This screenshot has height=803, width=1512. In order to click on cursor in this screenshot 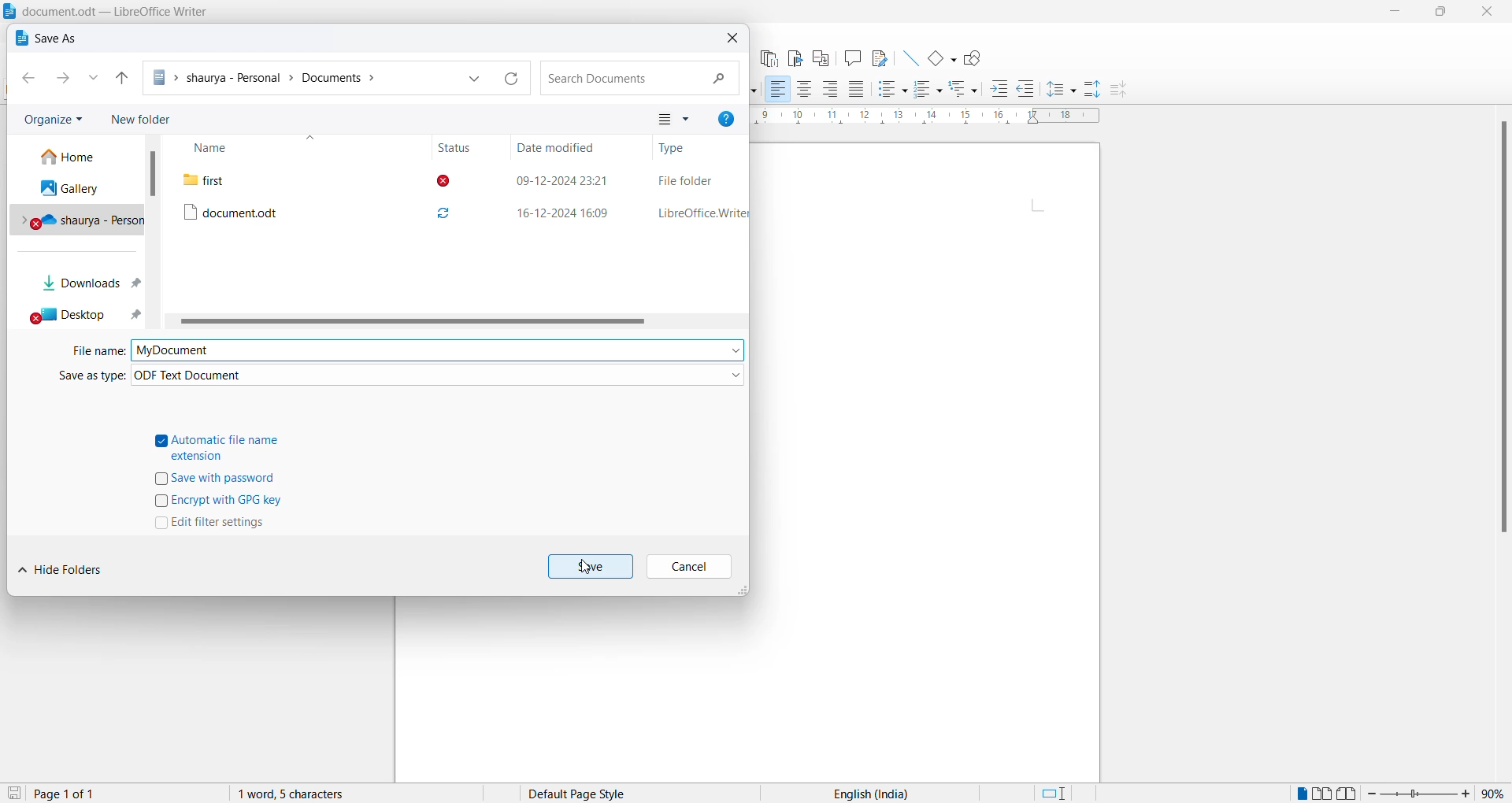, I will do `click(587, 571)`.